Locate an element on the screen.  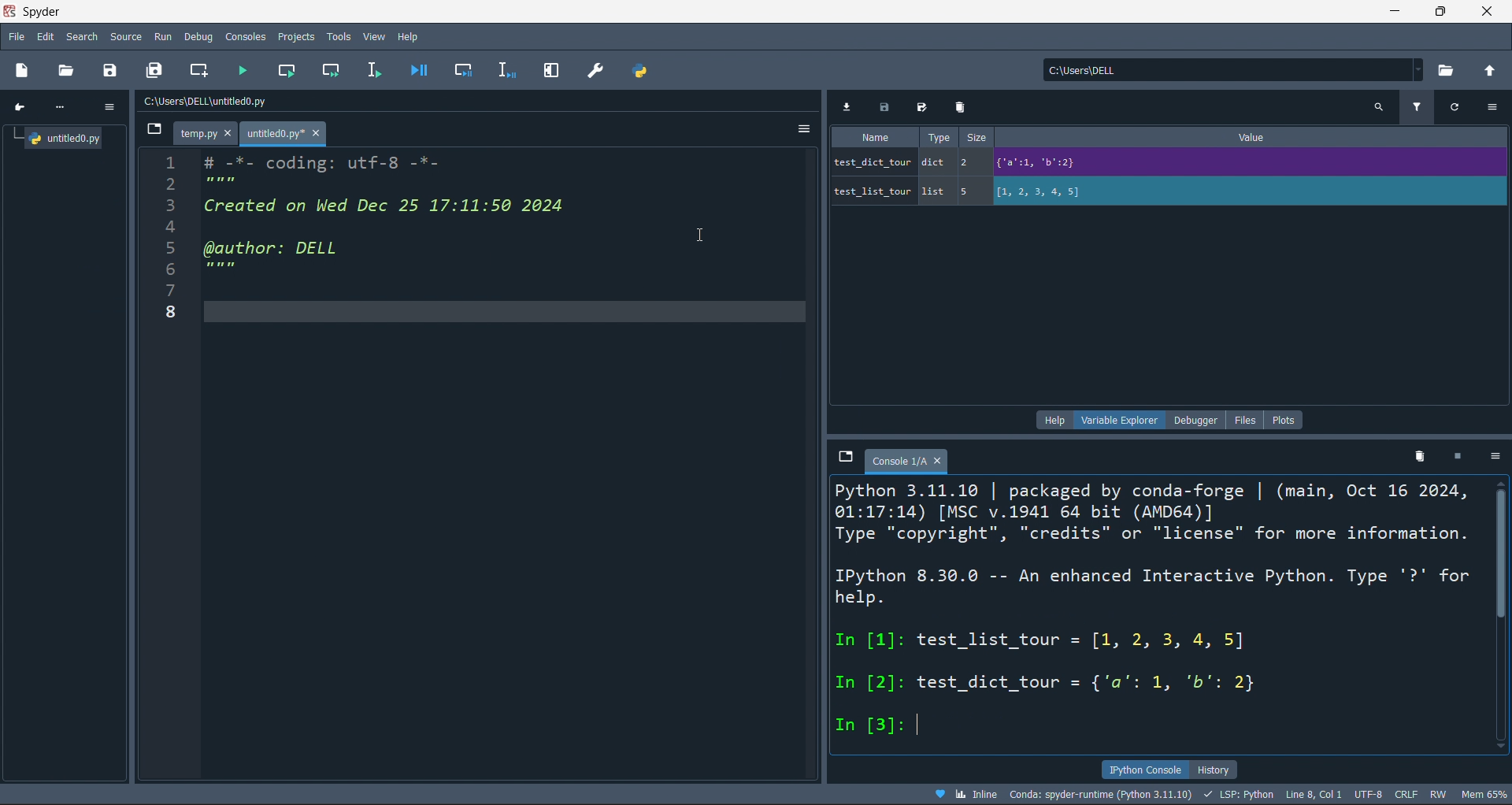
untitled0.py is located at coordinates (56, 139).